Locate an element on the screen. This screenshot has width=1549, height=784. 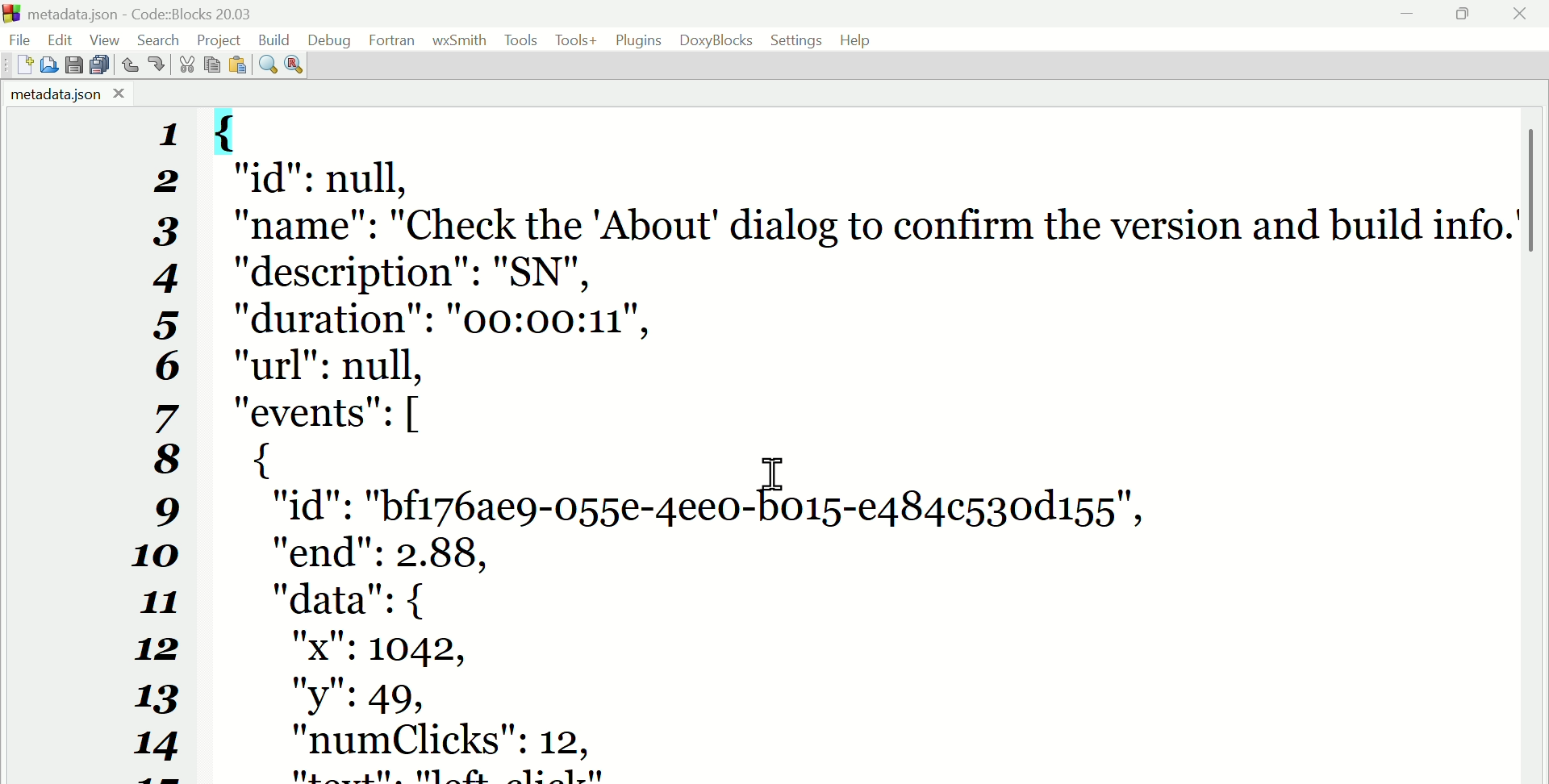
Find is located at coordinates (267, 67).